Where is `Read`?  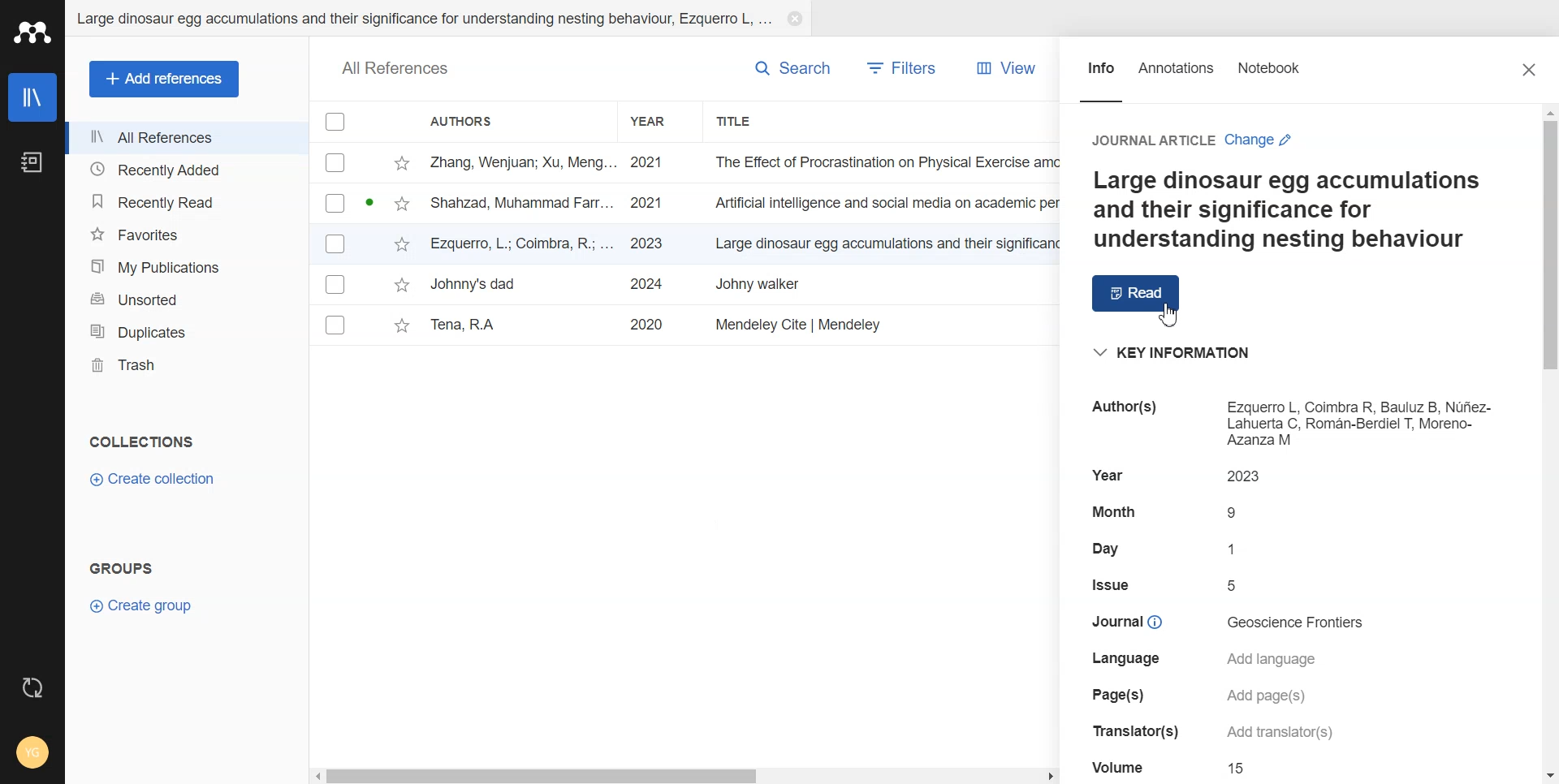
Read is located at coordinates (1138, 293).